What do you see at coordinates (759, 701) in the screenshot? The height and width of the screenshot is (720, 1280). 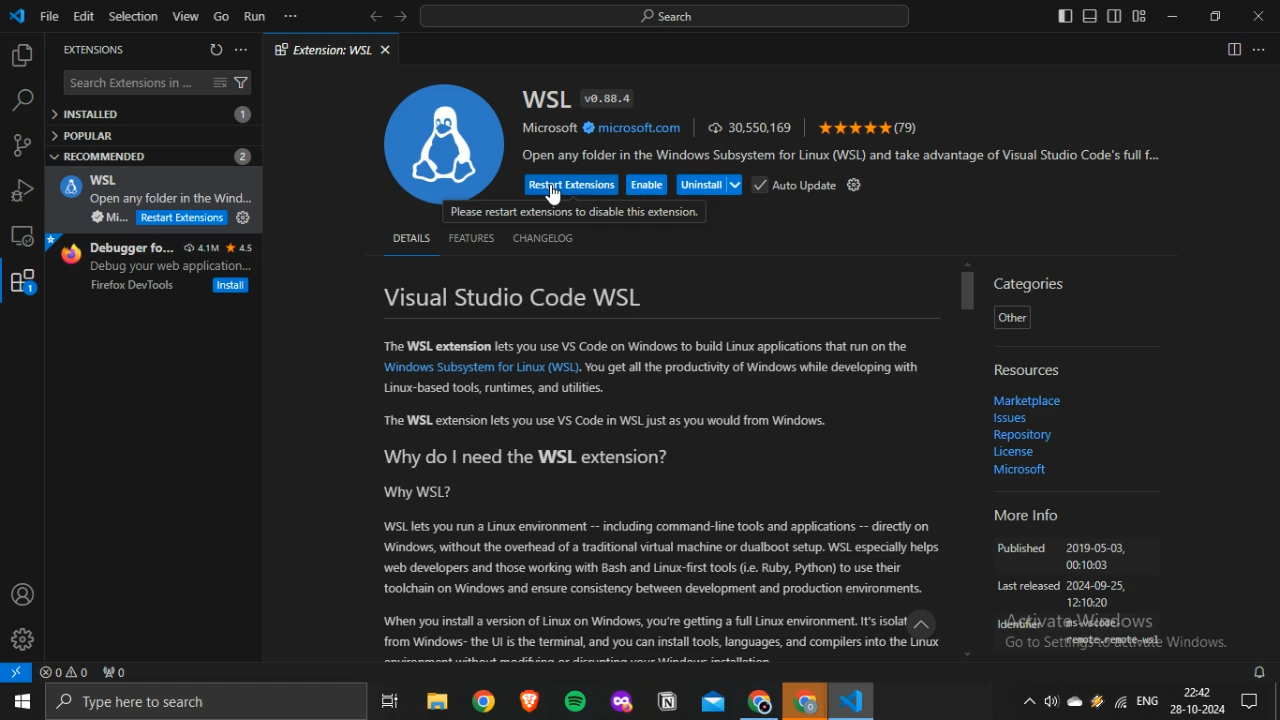 I see `Google Chrome` at bounding box center [759, 701].